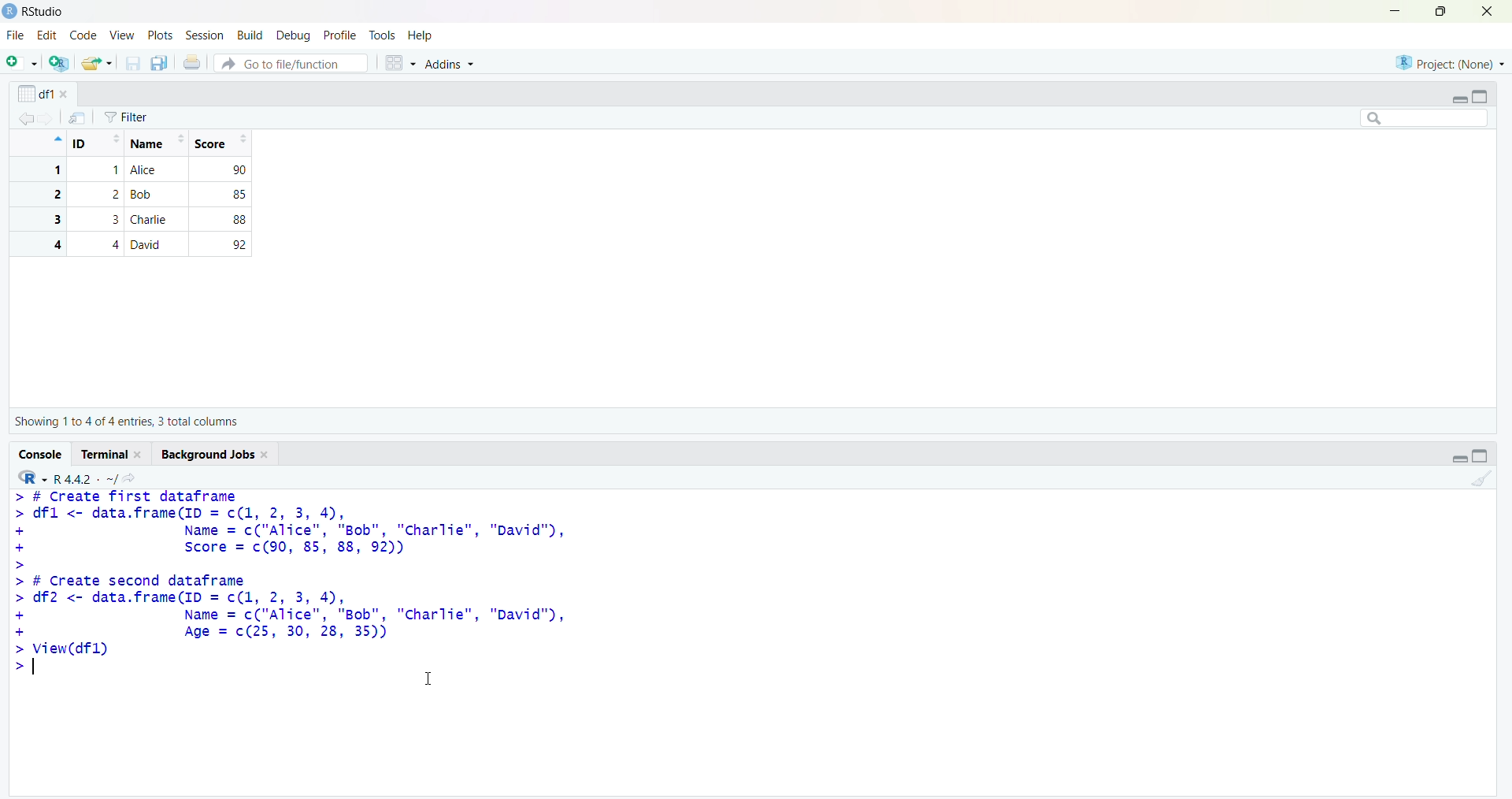 The image size is (1512, 799). Describe the element at coordinates (295, 36) in the screenshot. I see `debug` at that location.